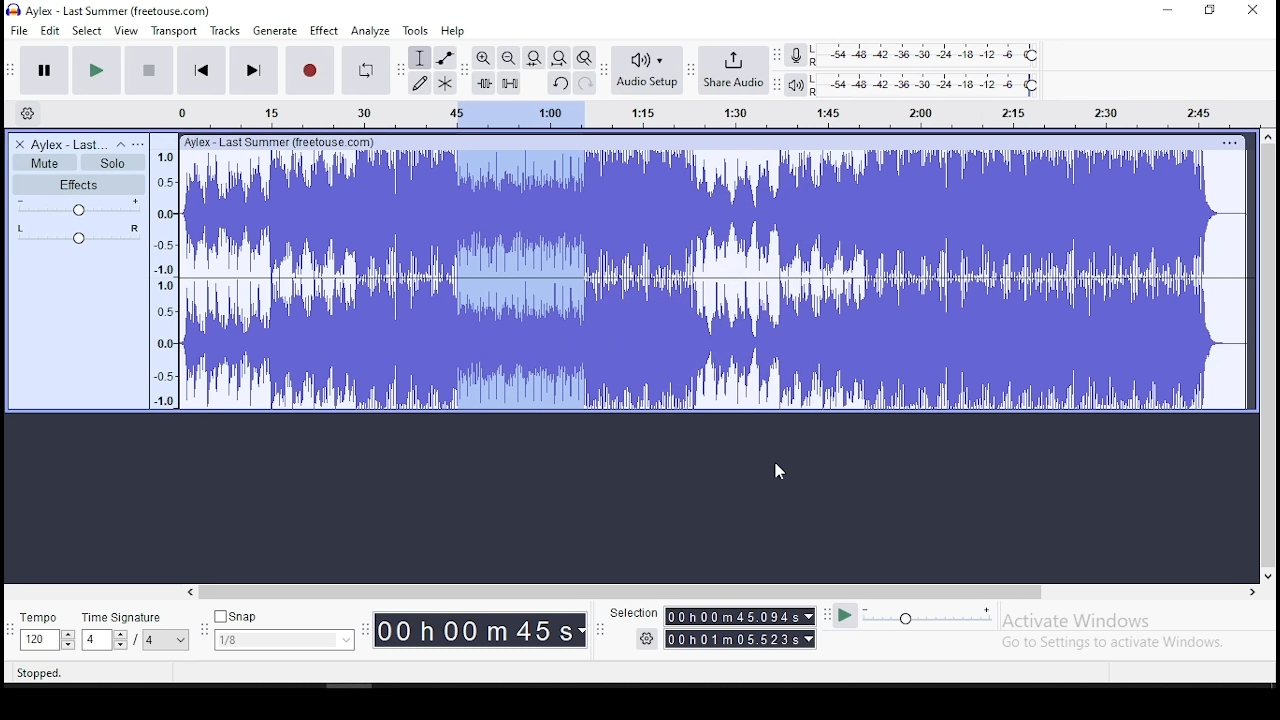 The image size is (1280, 720). I want to click on file, so click(20, 30).